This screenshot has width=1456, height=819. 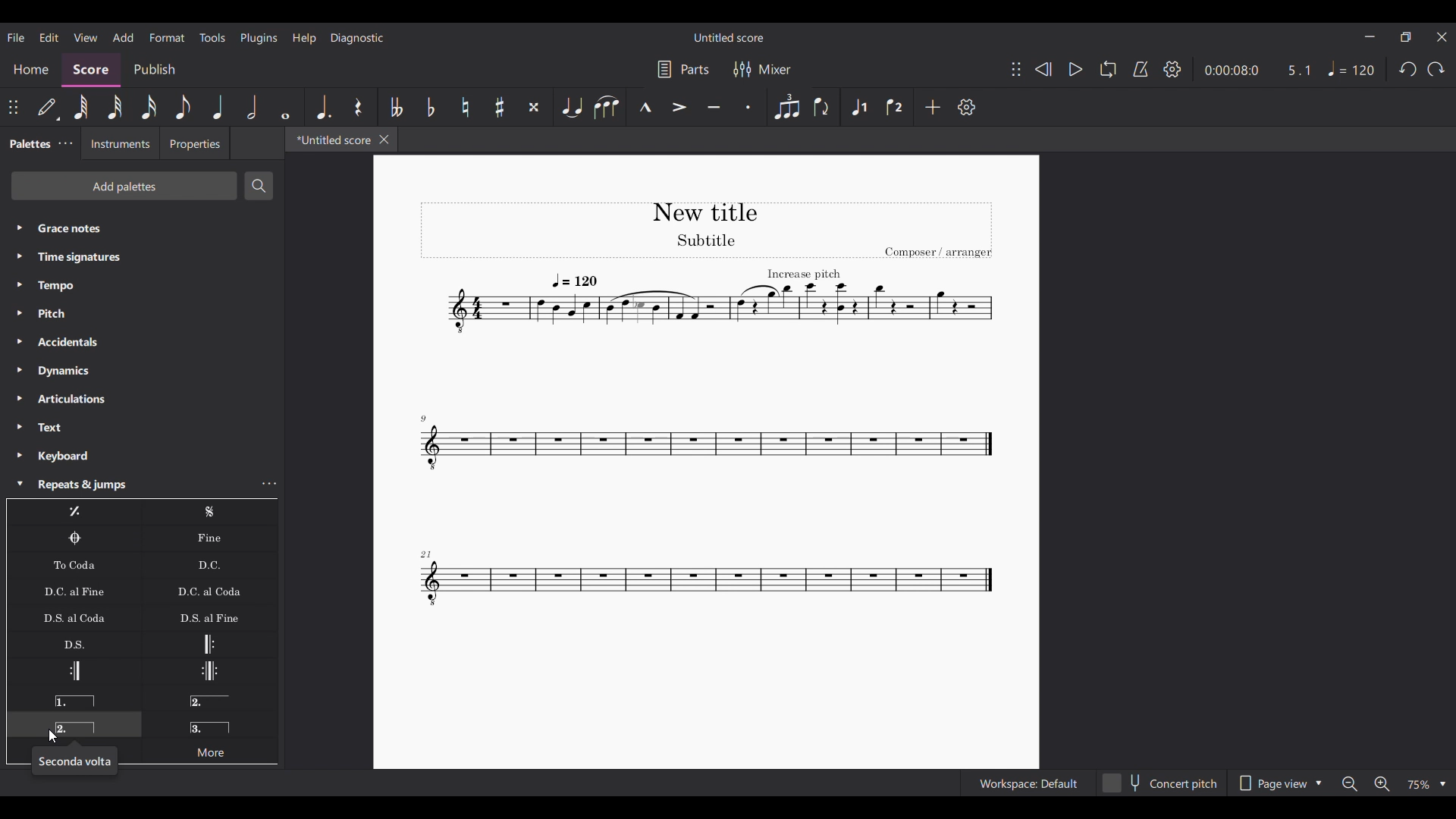 What do you see at coordinates (270, 483) in the screenshot?
I see `Repeats and jumps settings` at bounding box center [270, 483].